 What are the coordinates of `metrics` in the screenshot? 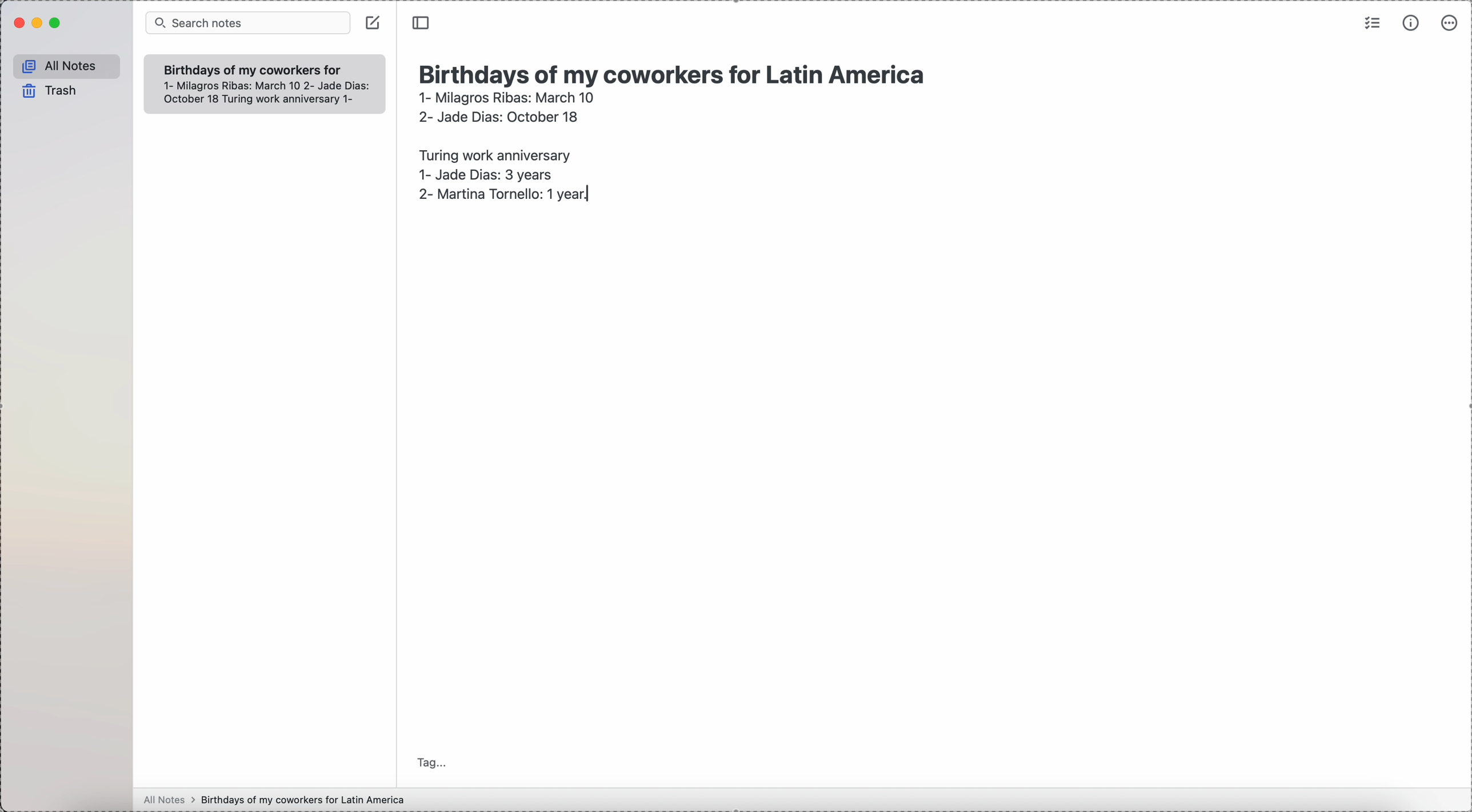 It's located at (1413, 22).